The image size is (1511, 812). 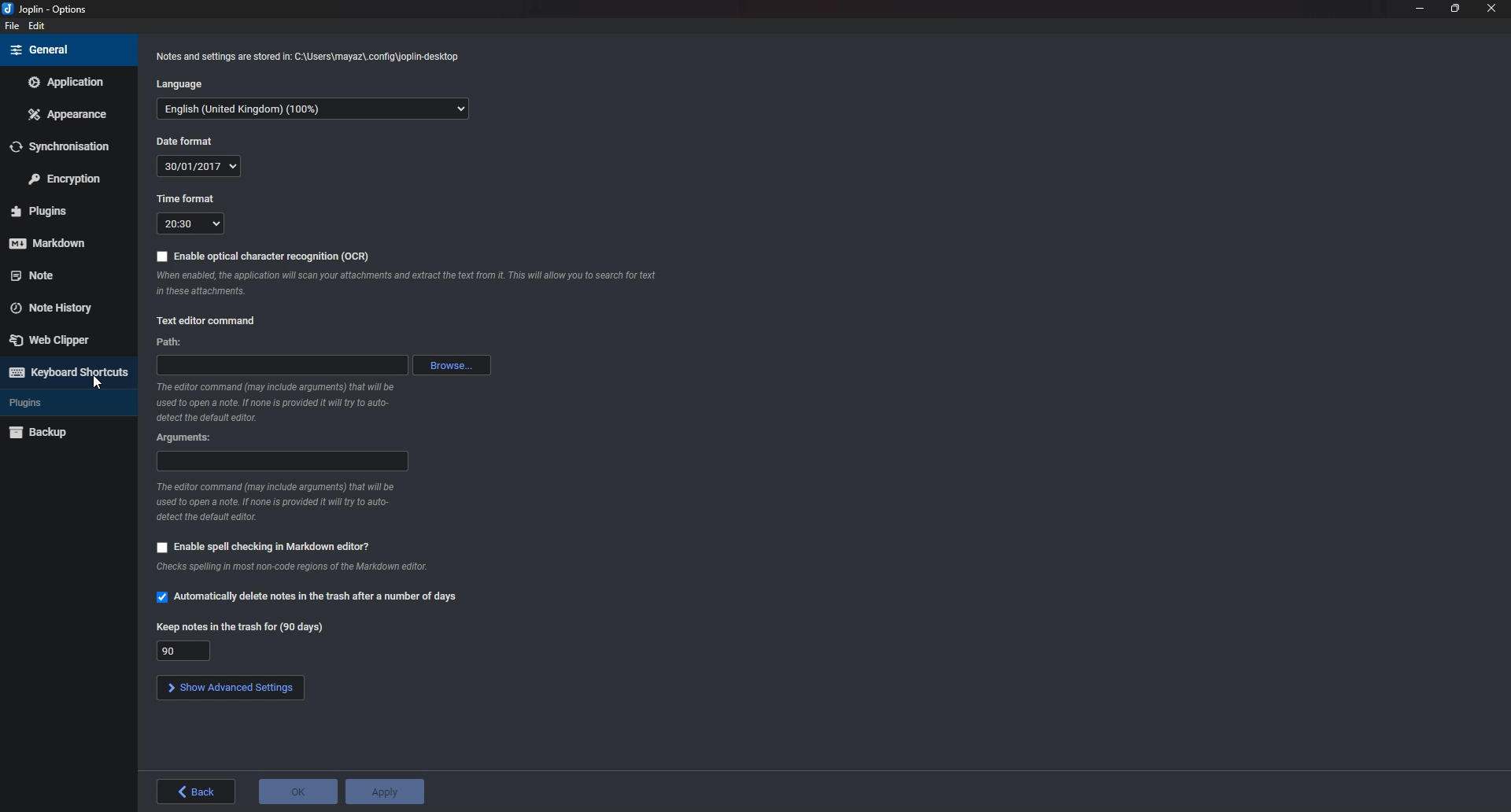 I want to click on Plugins, so click(x=61, y=212).